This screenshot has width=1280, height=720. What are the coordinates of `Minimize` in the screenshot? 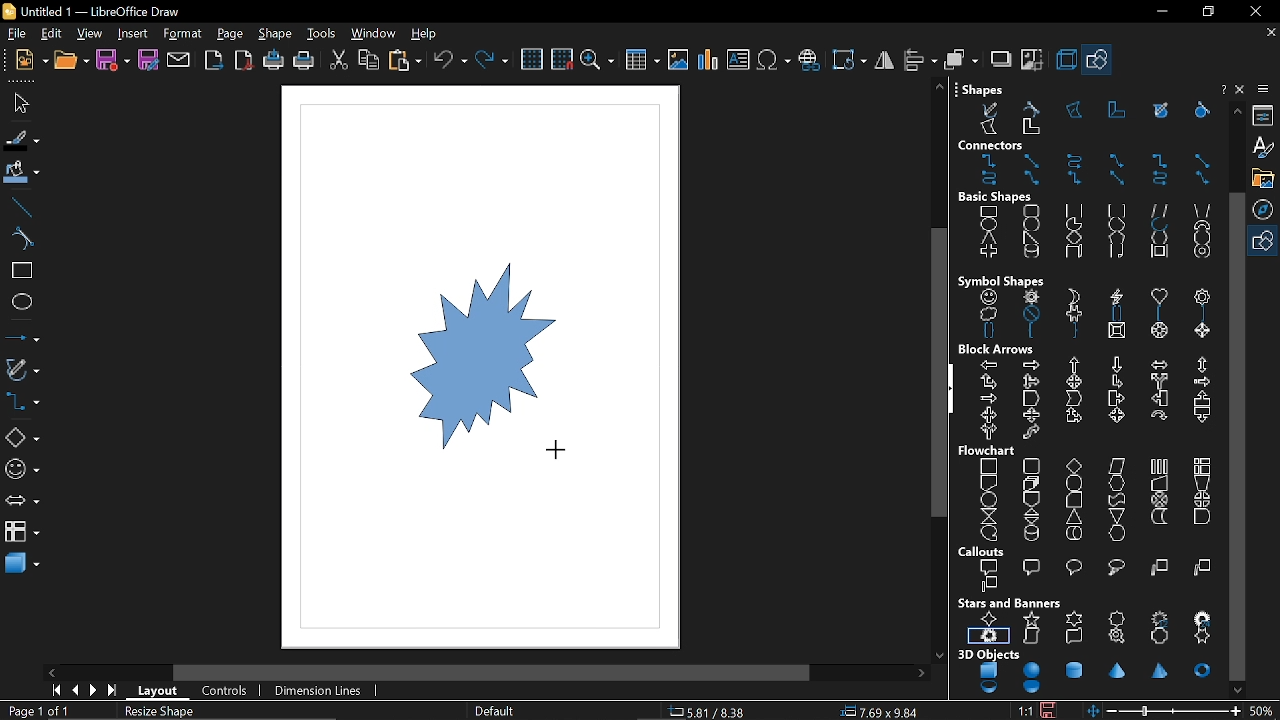 It's located at (1157, 12).